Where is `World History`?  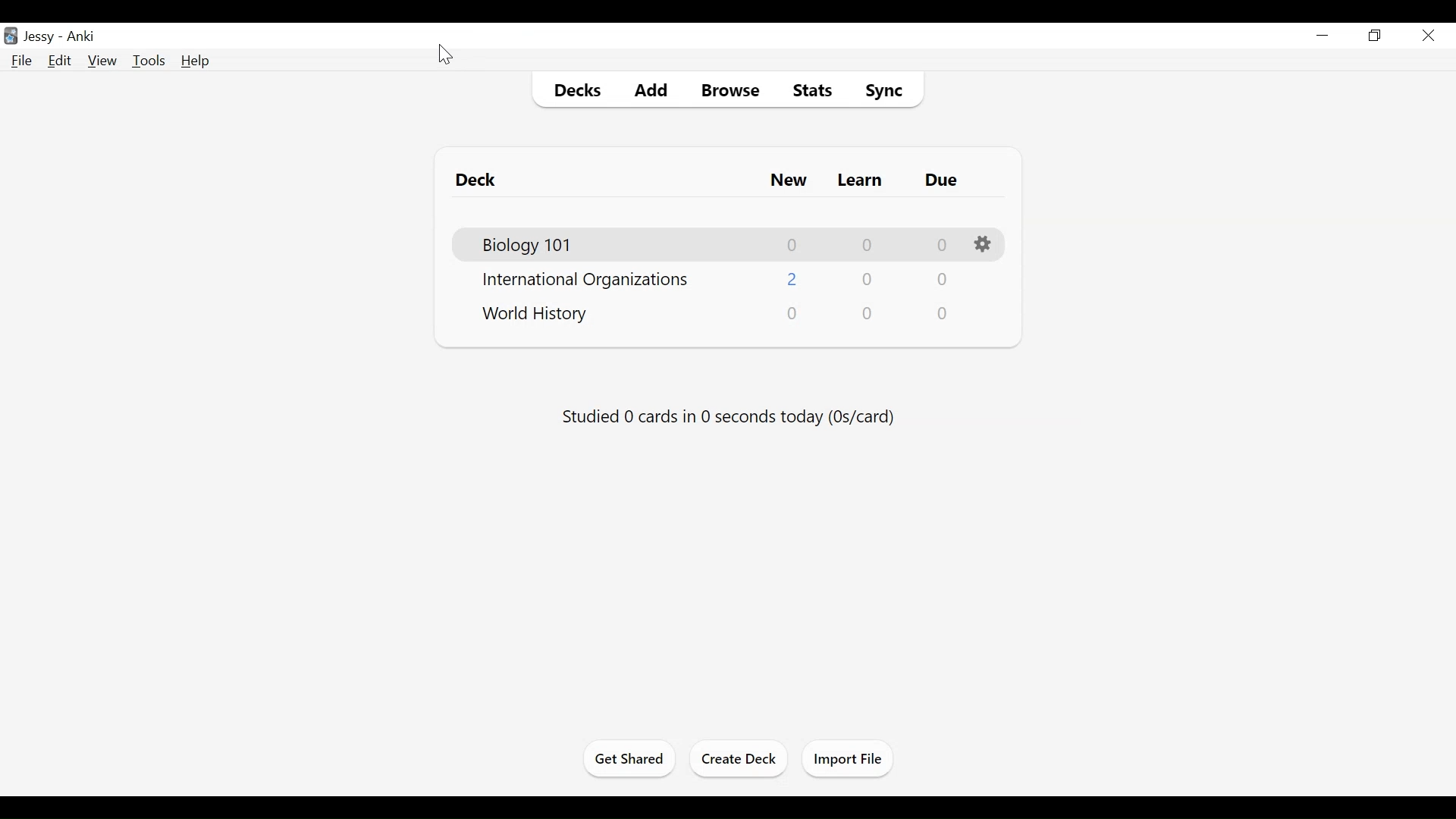
World History is located at coordinates (535, 314).